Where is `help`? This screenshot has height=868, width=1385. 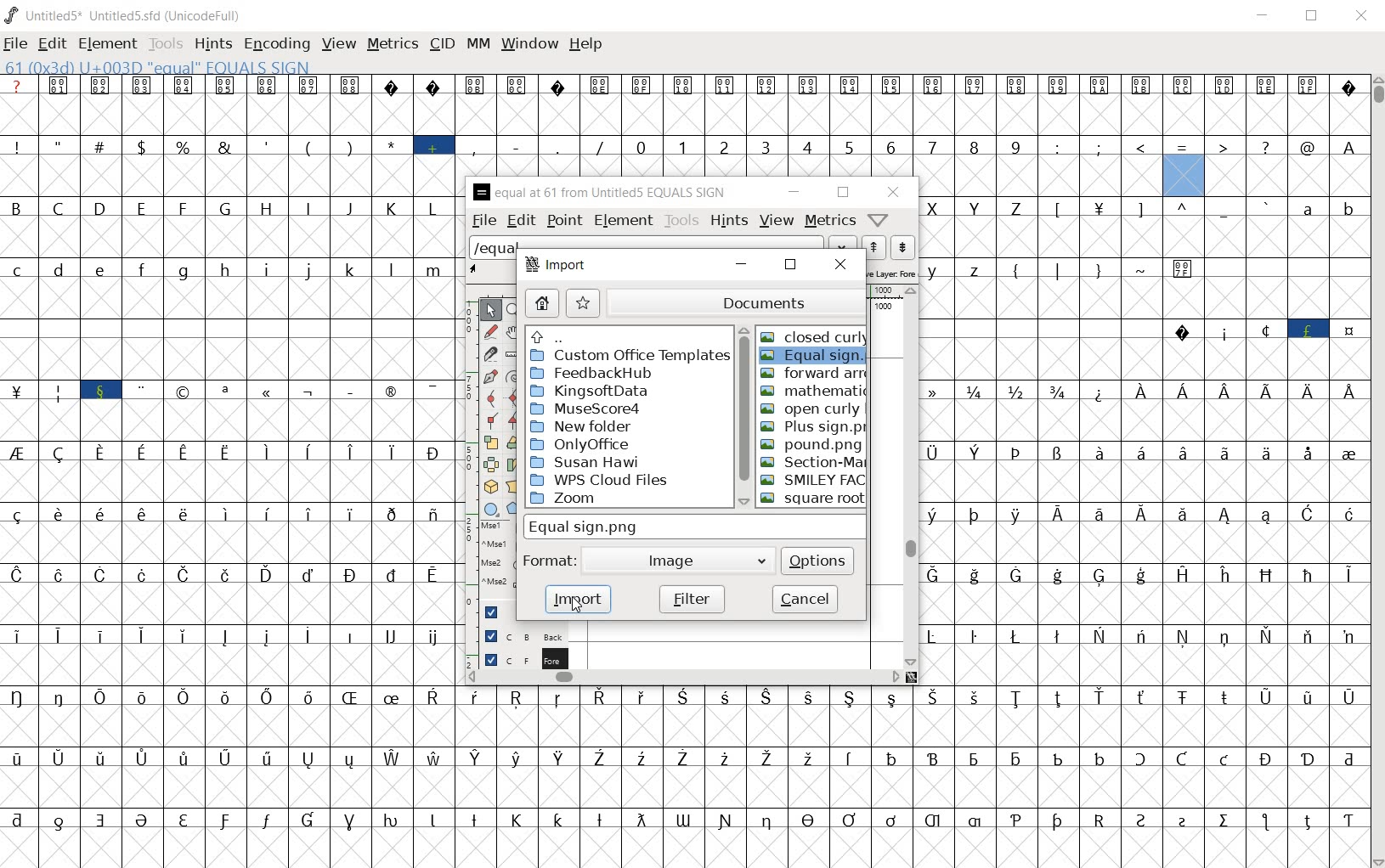 help is located at coordinates (585, 48).